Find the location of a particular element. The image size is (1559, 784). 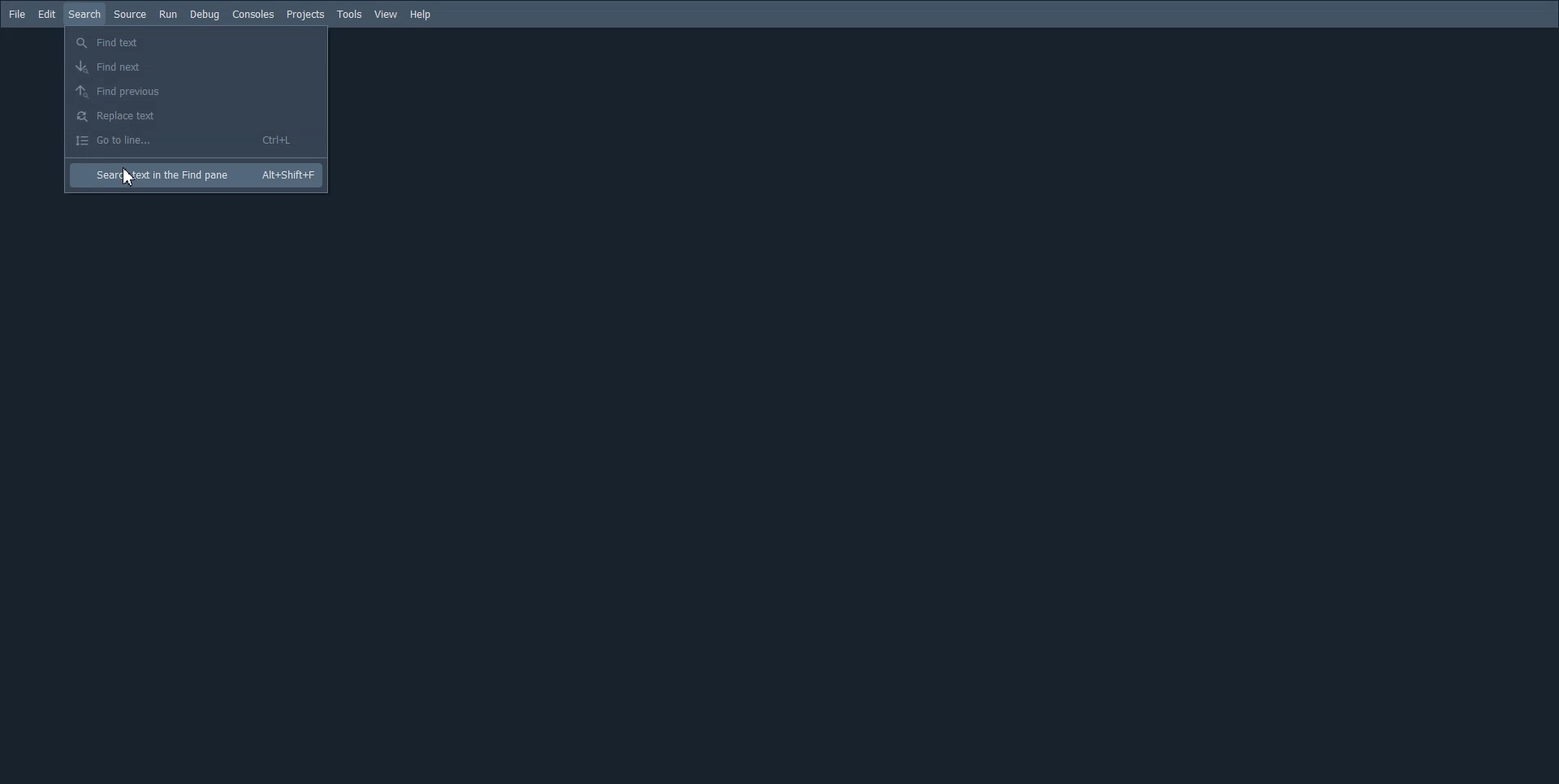

Find text is located at coordinates (188, 43).